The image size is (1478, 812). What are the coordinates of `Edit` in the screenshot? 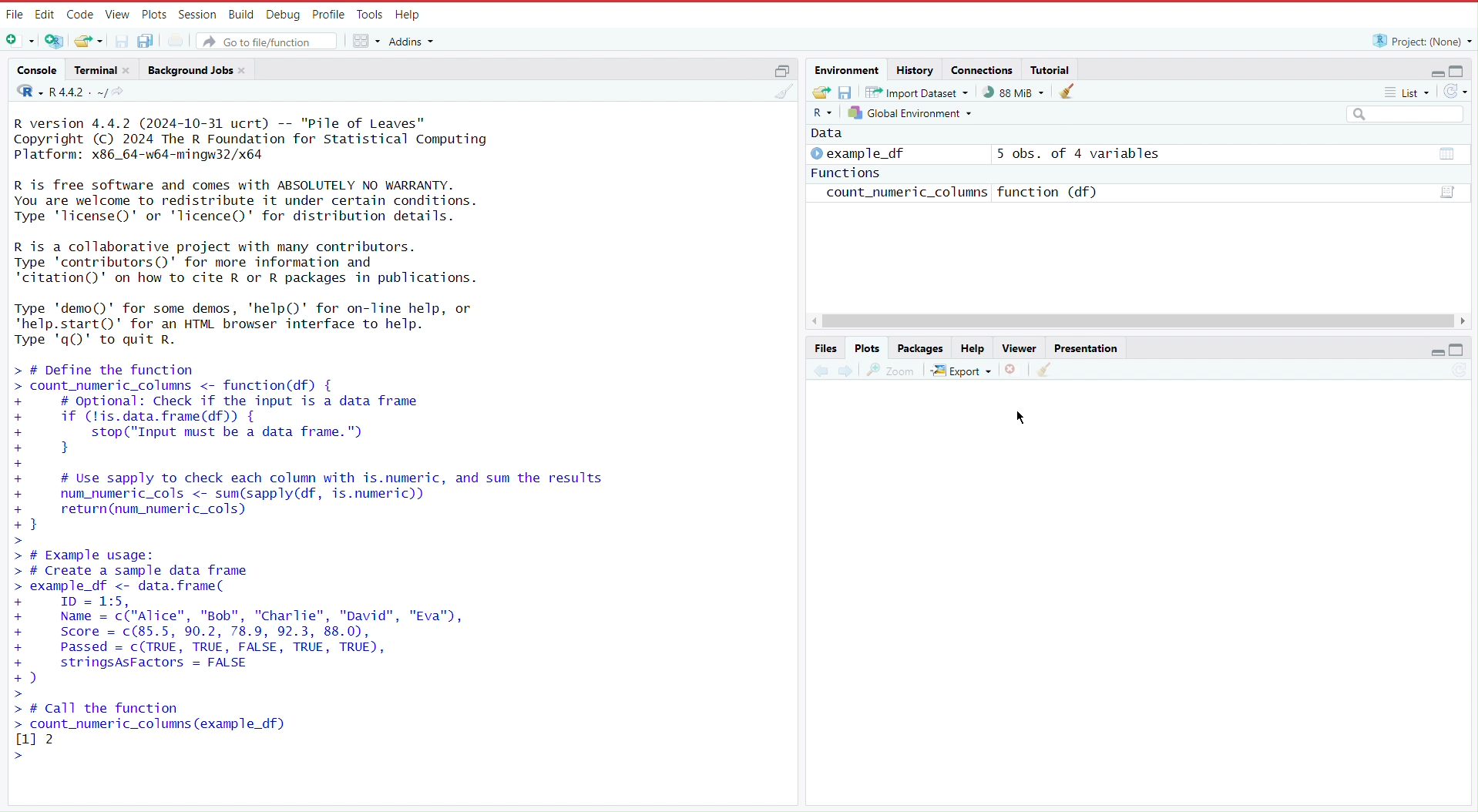 It's located at (45, 14).